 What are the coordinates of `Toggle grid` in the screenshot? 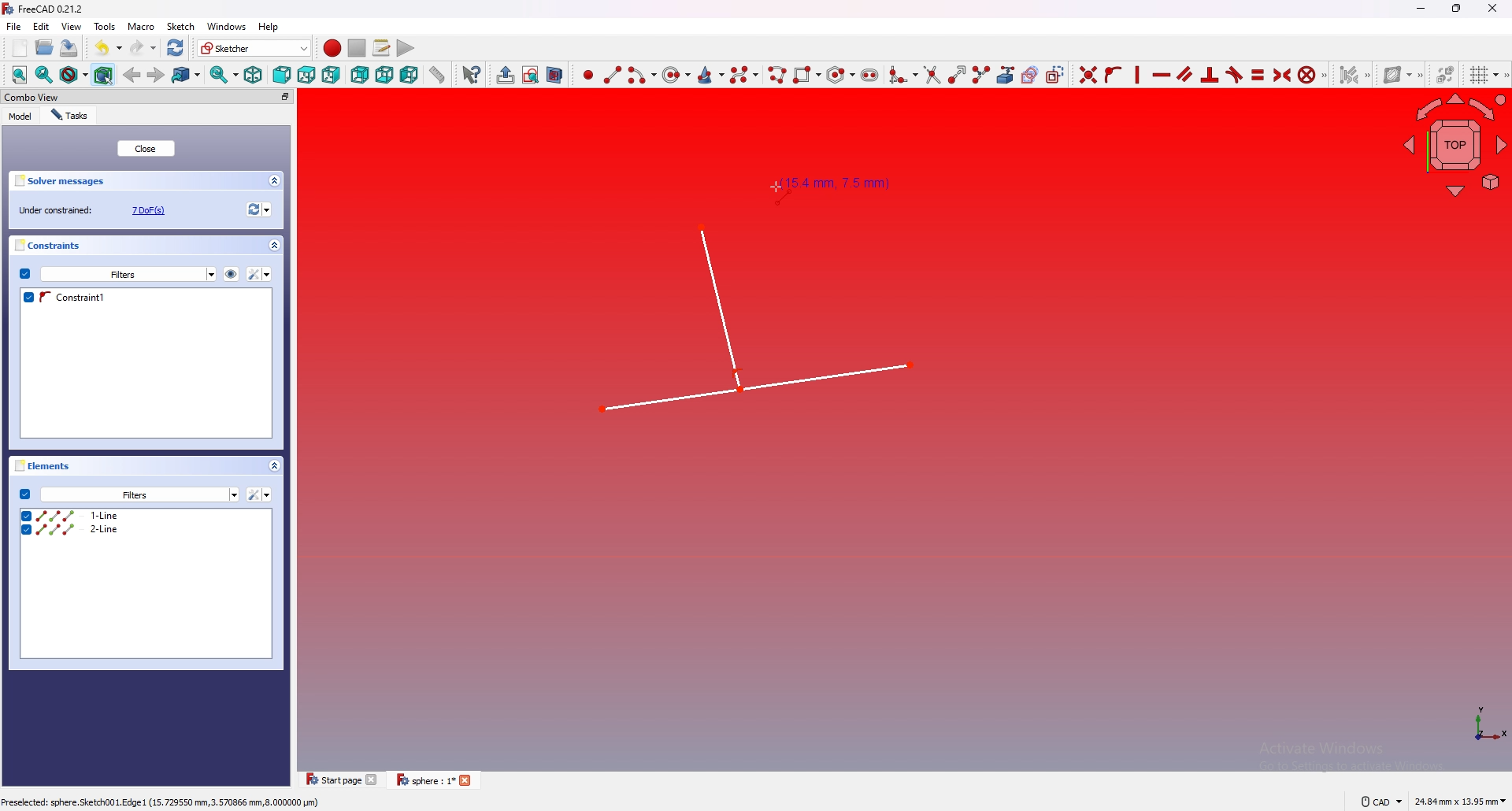 It's located at (1481, 75).